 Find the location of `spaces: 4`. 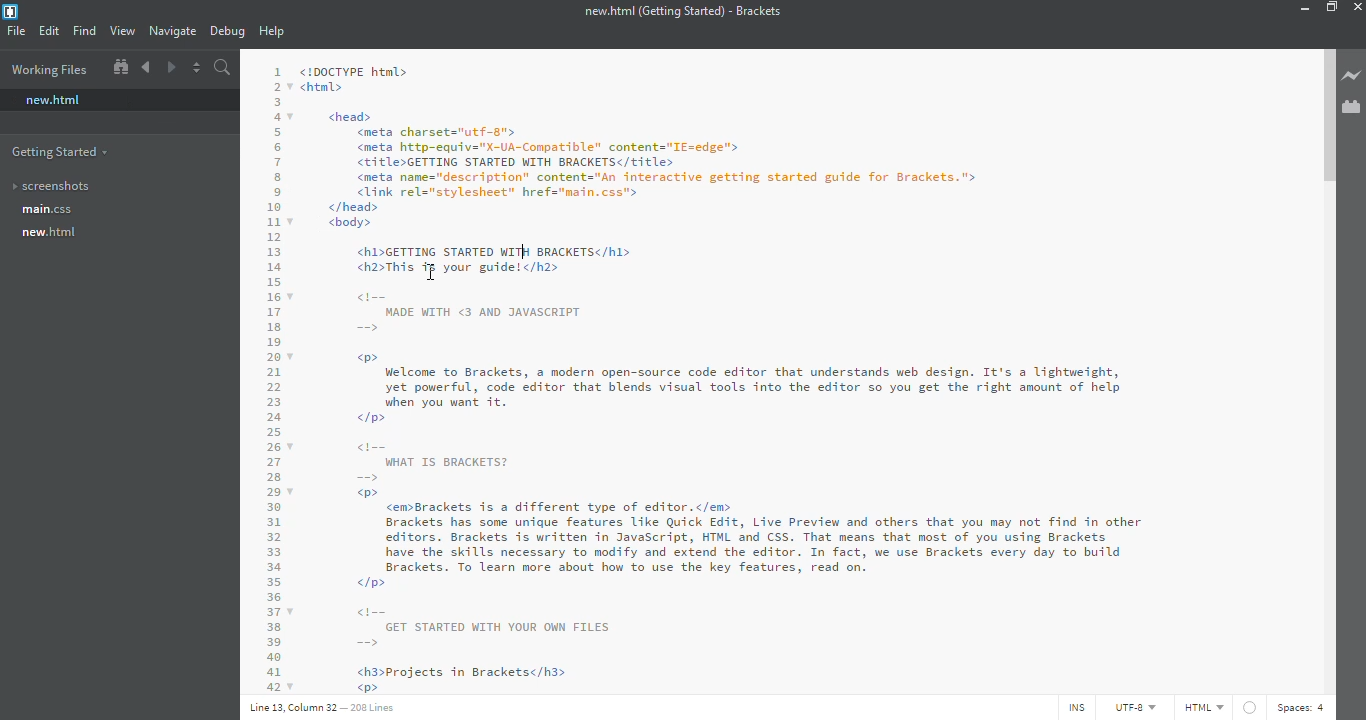

spaces: 4 is located at coordinates (1304, 708).